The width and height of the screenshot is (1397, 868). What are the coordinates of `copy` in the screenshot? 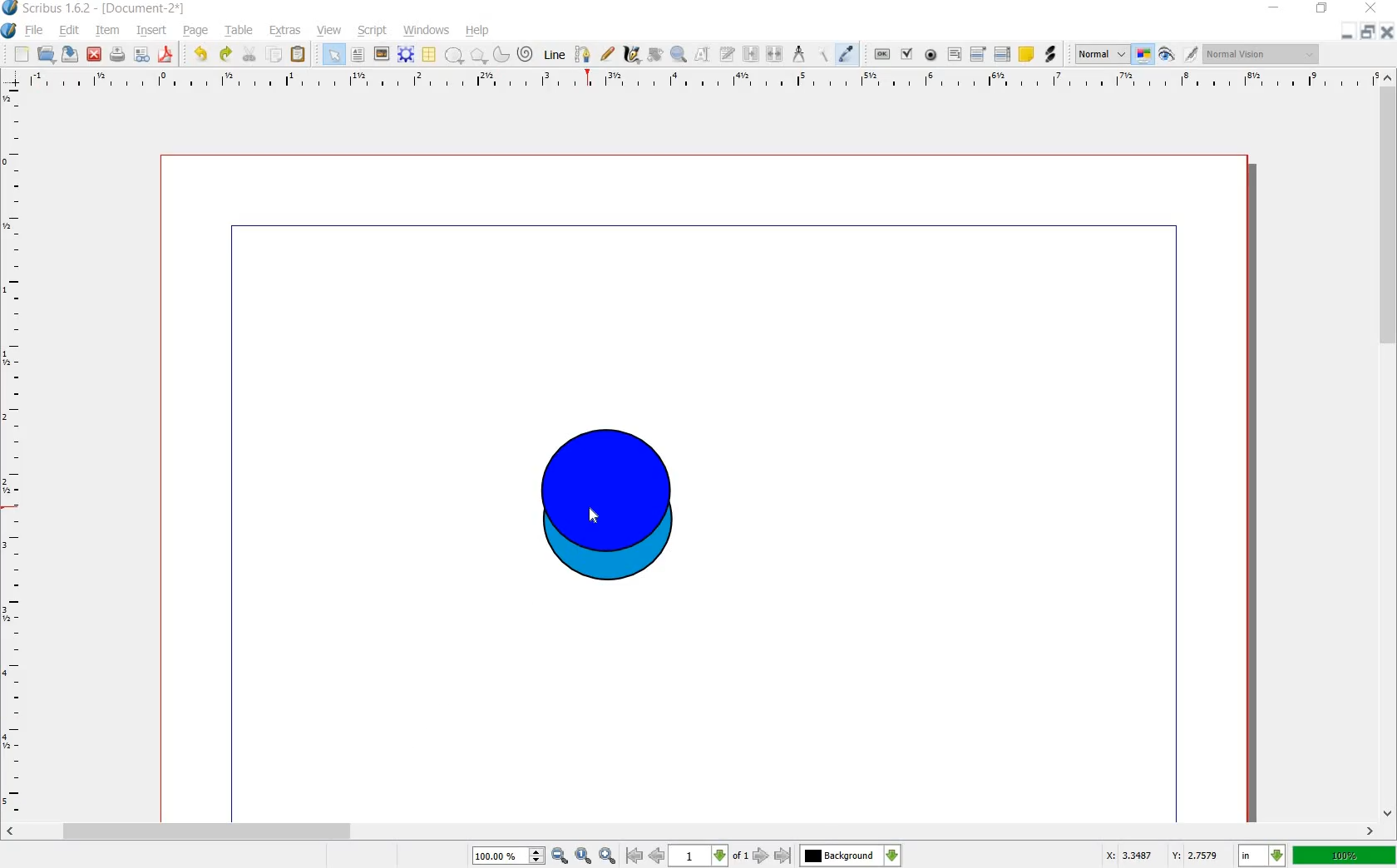 It's located at (276, 55).